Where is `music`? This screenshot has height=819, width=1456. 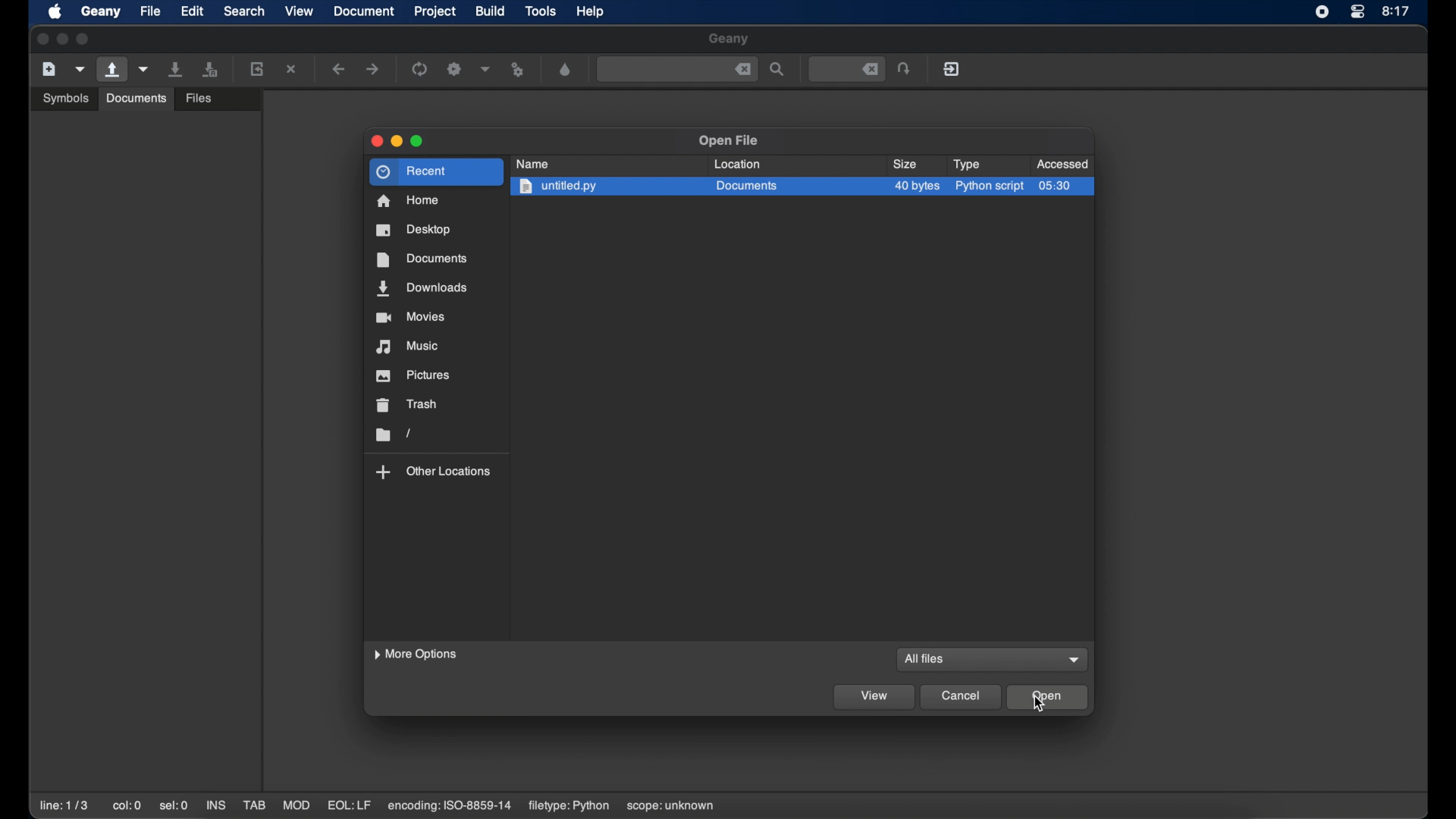 music is located at coordinates (406, 347).